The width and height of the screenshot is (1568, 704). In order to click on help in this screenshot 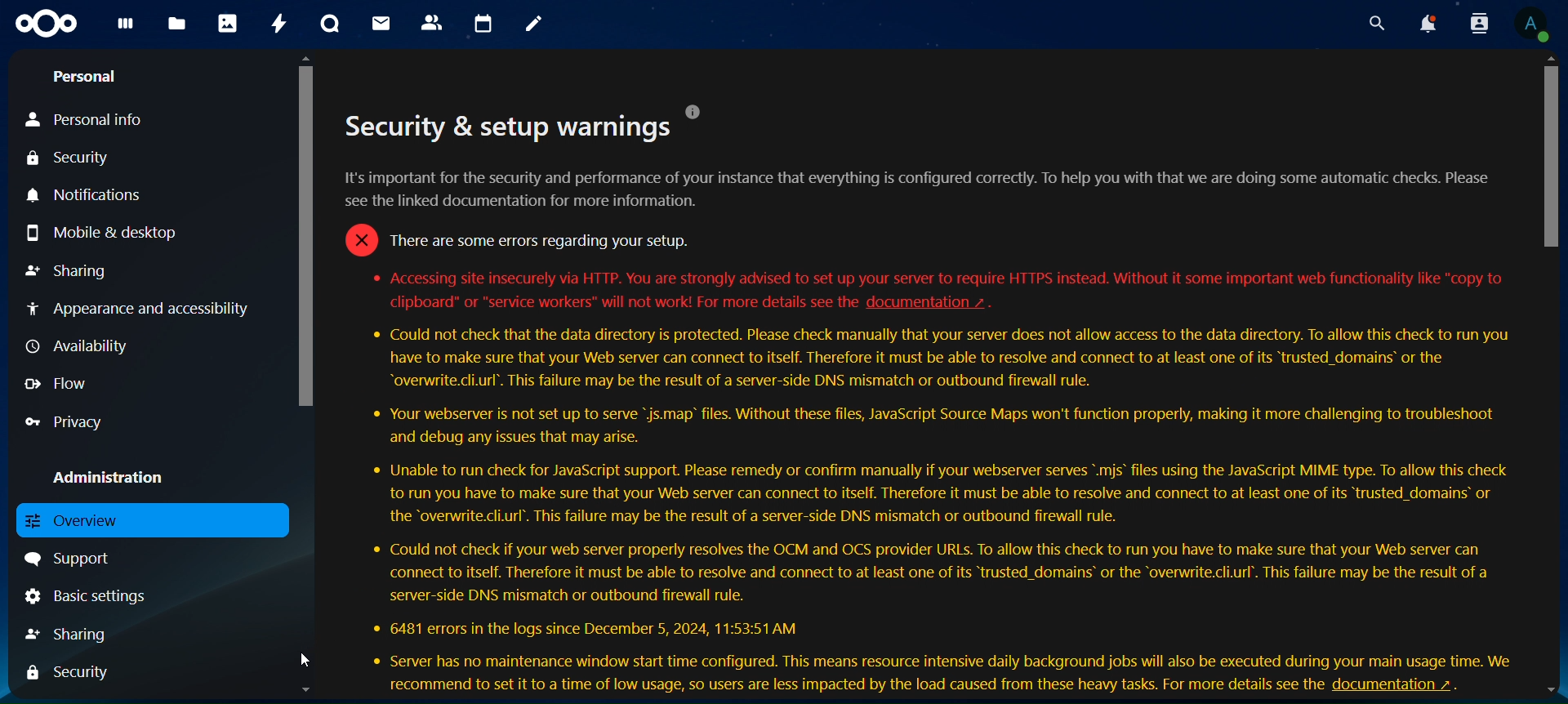, I will do `click(1405, 686)`.